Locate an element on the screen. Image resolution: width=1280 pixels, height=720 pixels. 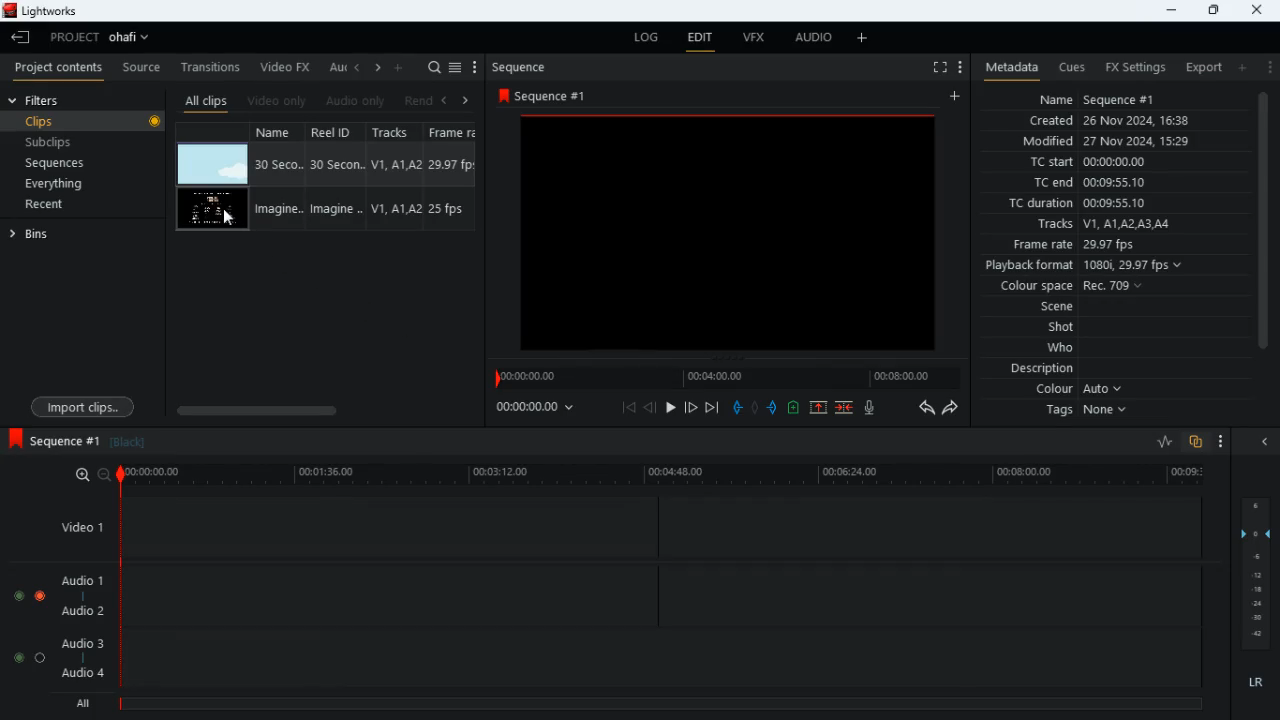
subclips is located at coordinates (51, 145).